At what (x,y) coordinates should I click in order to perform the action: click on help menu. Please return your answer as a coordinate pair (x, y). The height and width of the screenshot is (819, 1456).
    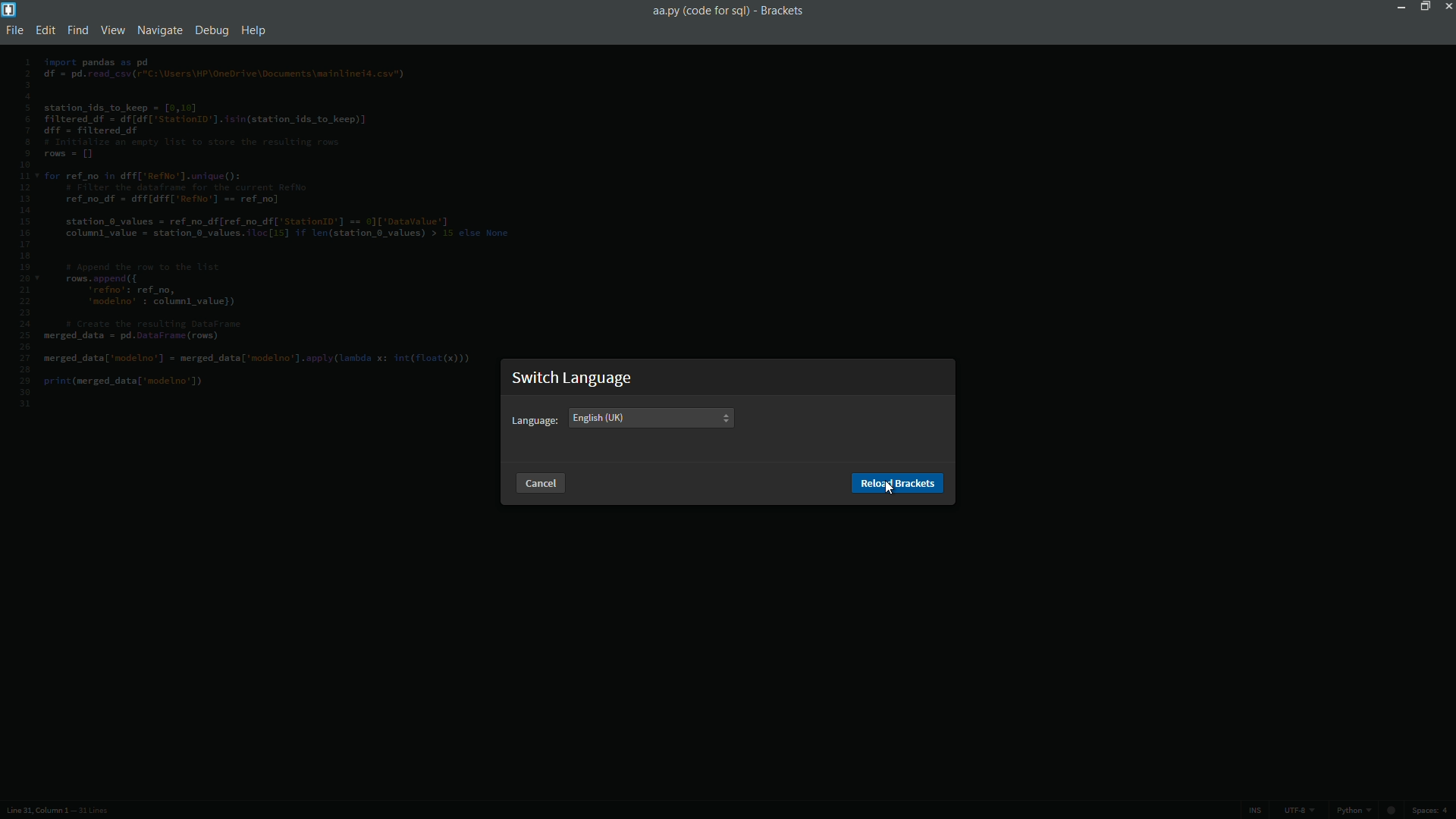
    Looking at the image, I should click on (256, 31).